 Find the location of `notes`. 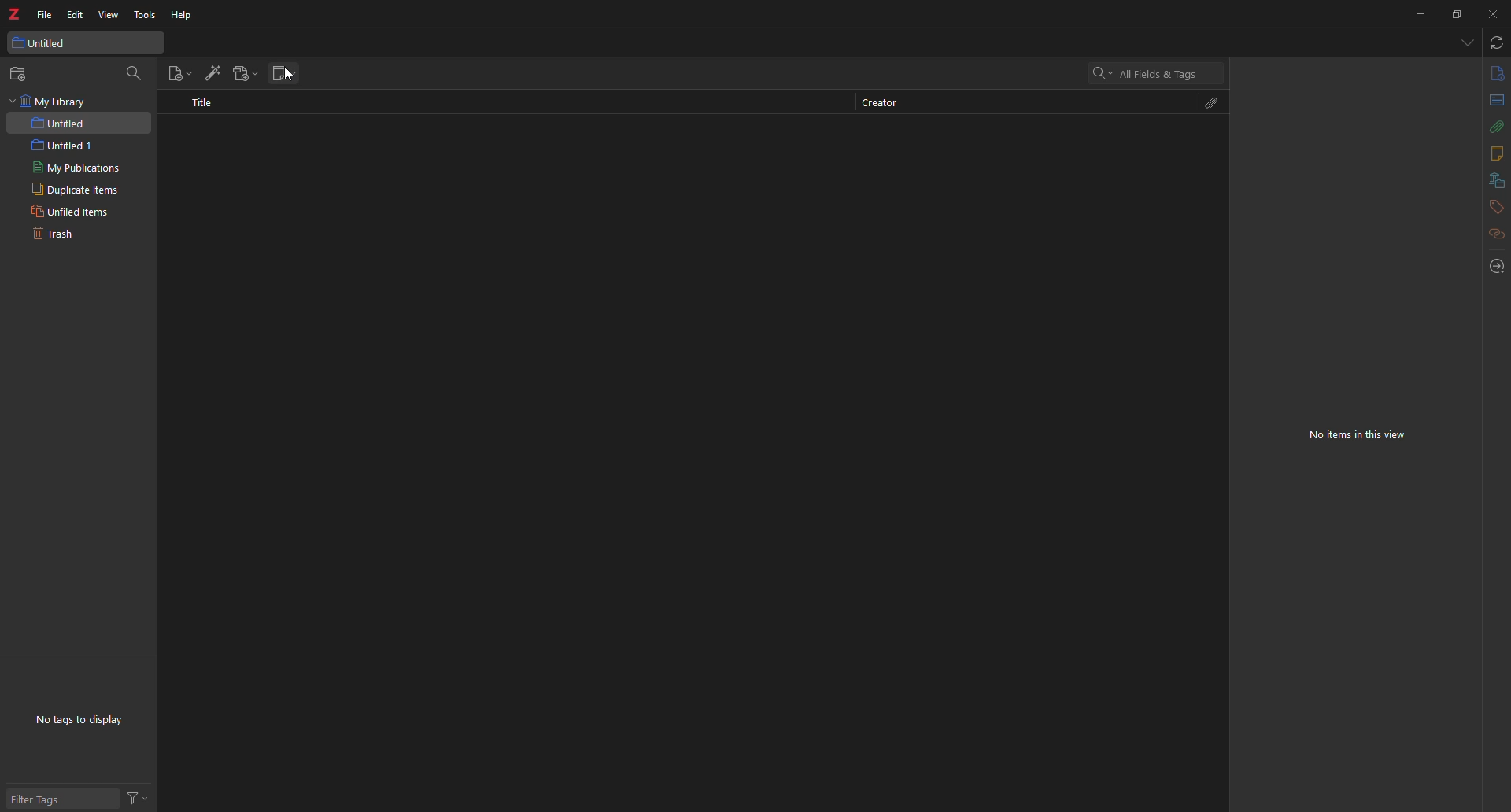

notes is located at coordinates (1494, 152).